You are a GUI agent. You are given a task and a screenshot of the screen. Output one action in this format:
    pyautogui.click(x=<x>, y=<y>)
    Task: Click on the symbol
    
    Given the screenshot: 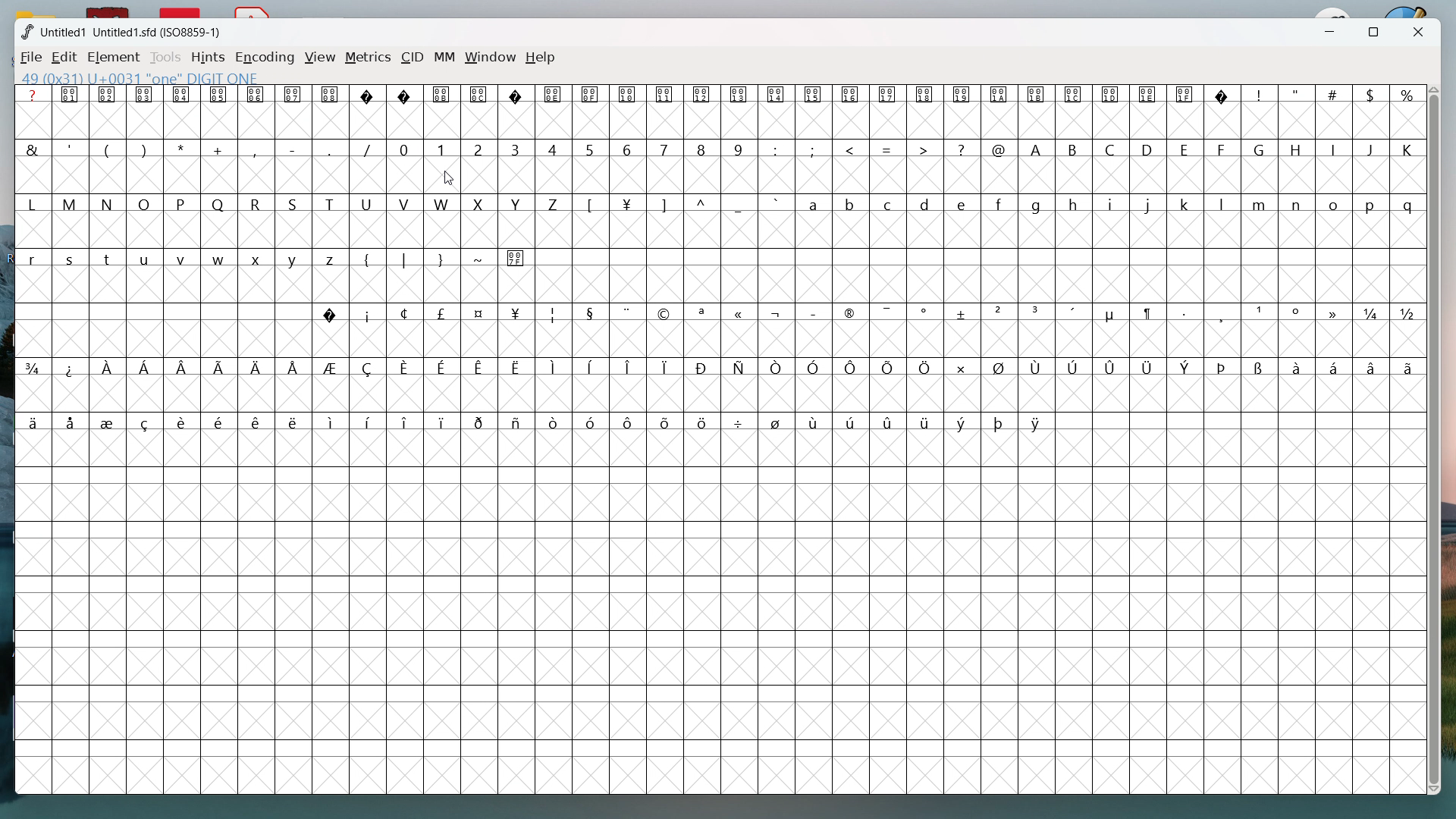 What is the action you would take?
    pyautogui.click(x=1150, y=313)
    